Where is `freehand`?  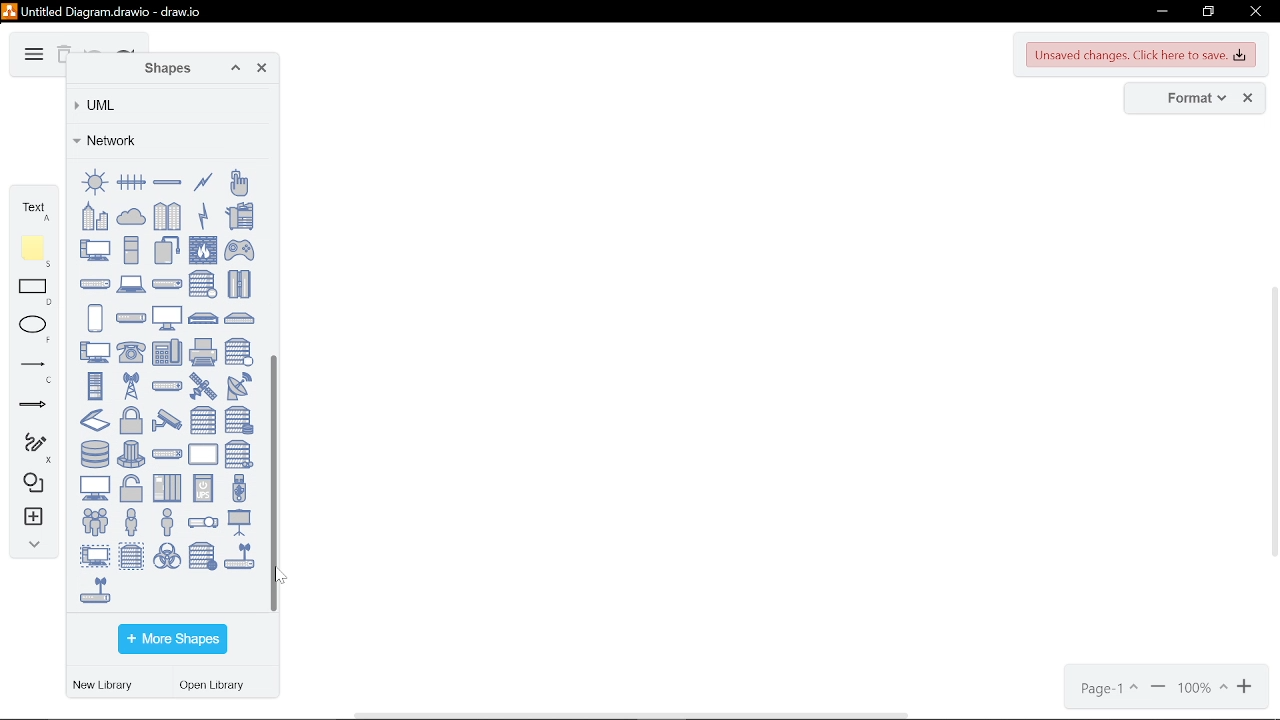
freehand is located at coordinates (30, 448).